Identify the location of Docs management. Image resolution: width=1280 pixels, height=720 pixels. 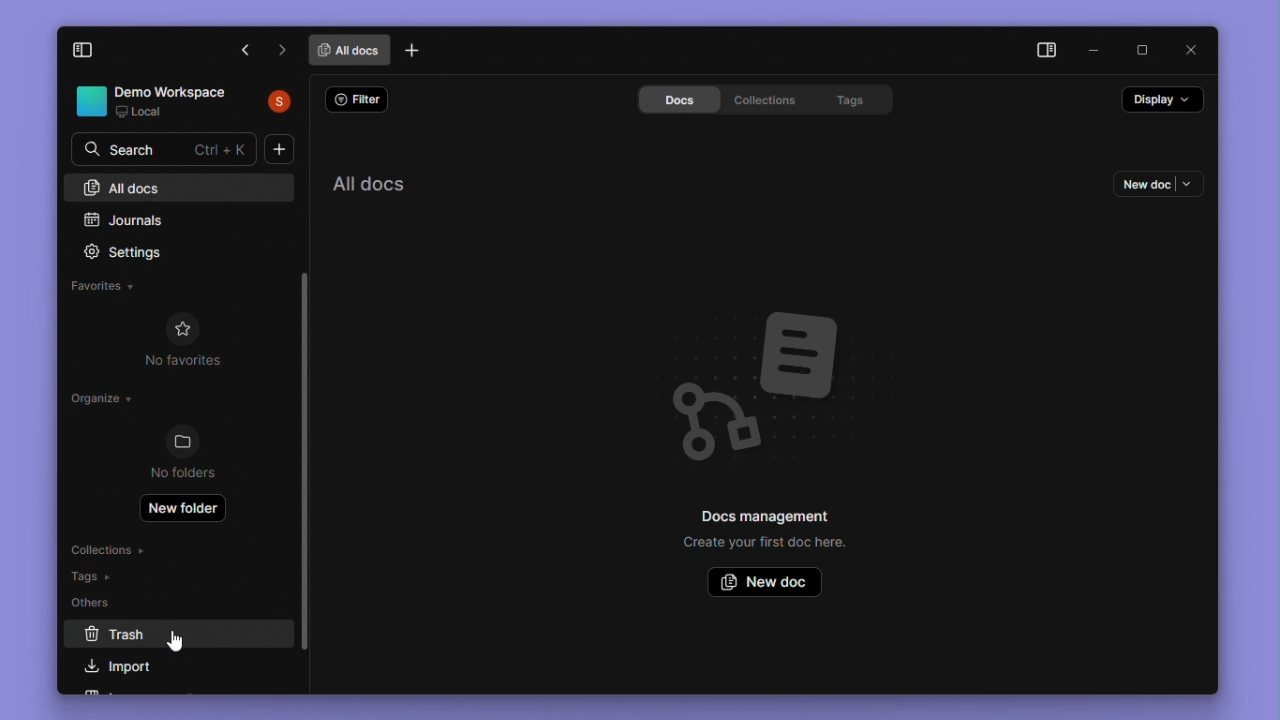
(775, 526).